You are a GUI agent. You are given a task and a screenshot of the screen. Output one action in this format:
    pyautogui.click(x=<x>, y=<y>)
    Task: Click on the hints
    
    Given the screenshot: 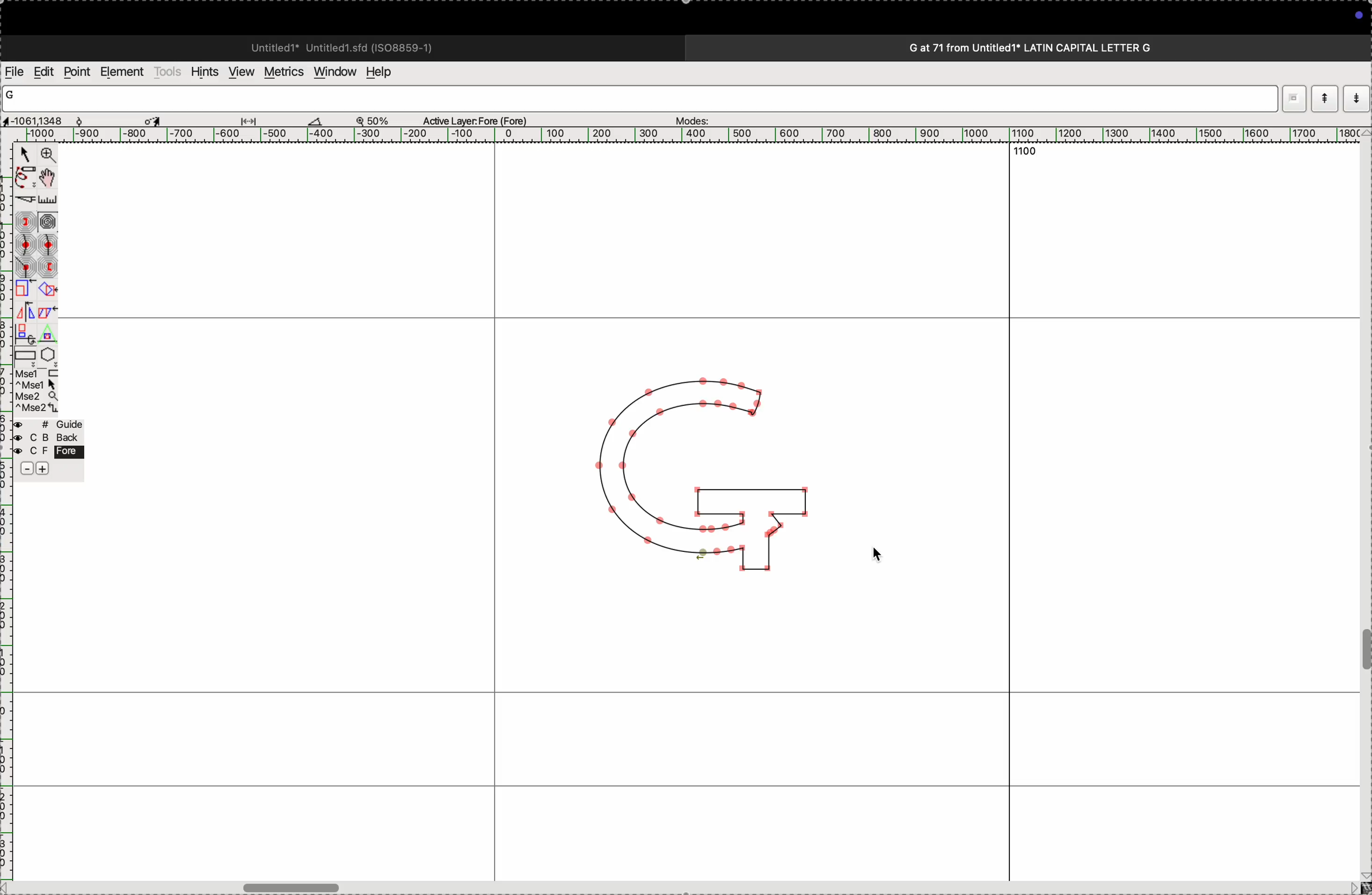 What is the action you would take?
    pyautogui.click(x=205, y=73)
    